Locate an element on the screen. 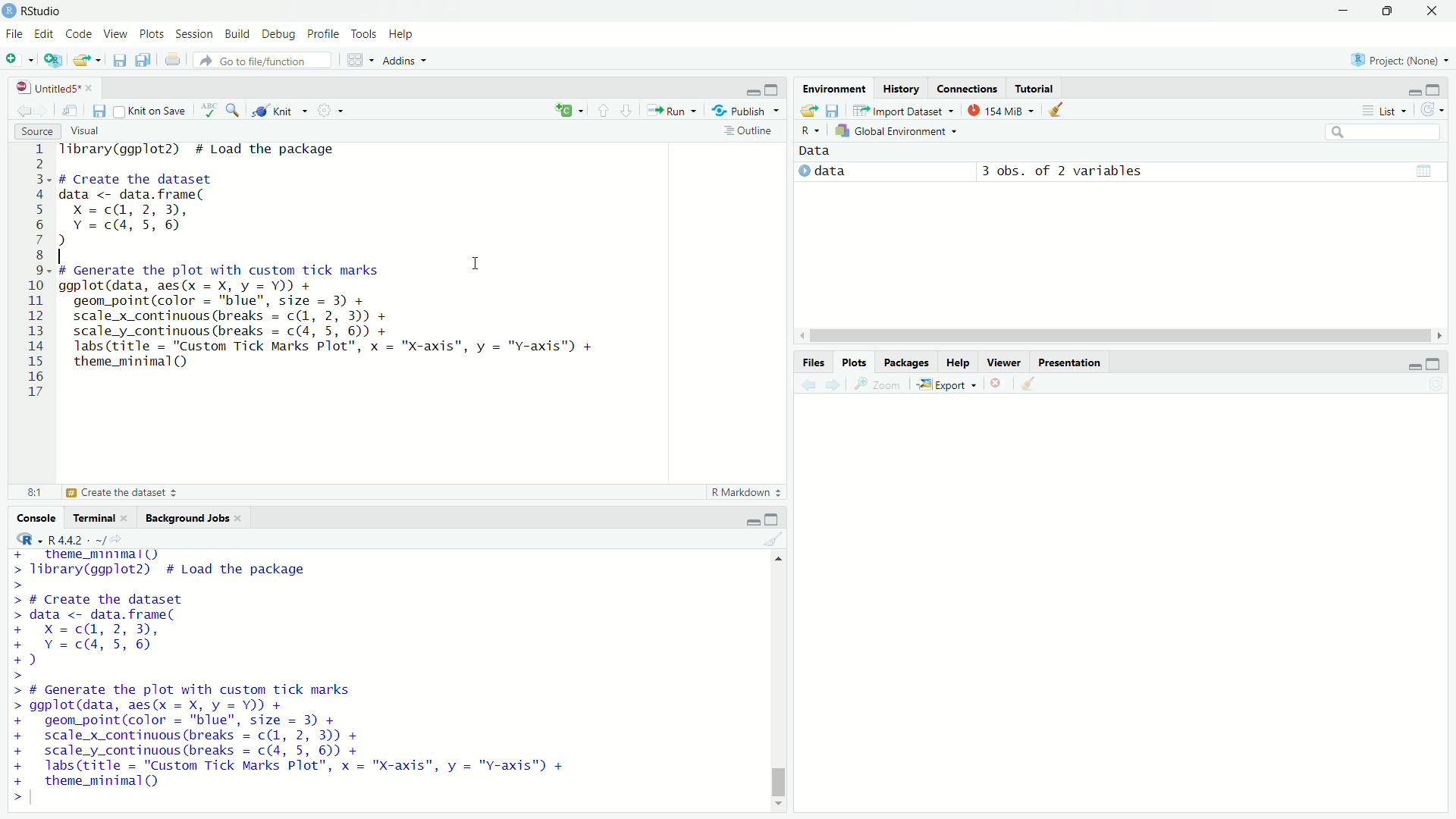  knit is located at coordinates (281, 111).